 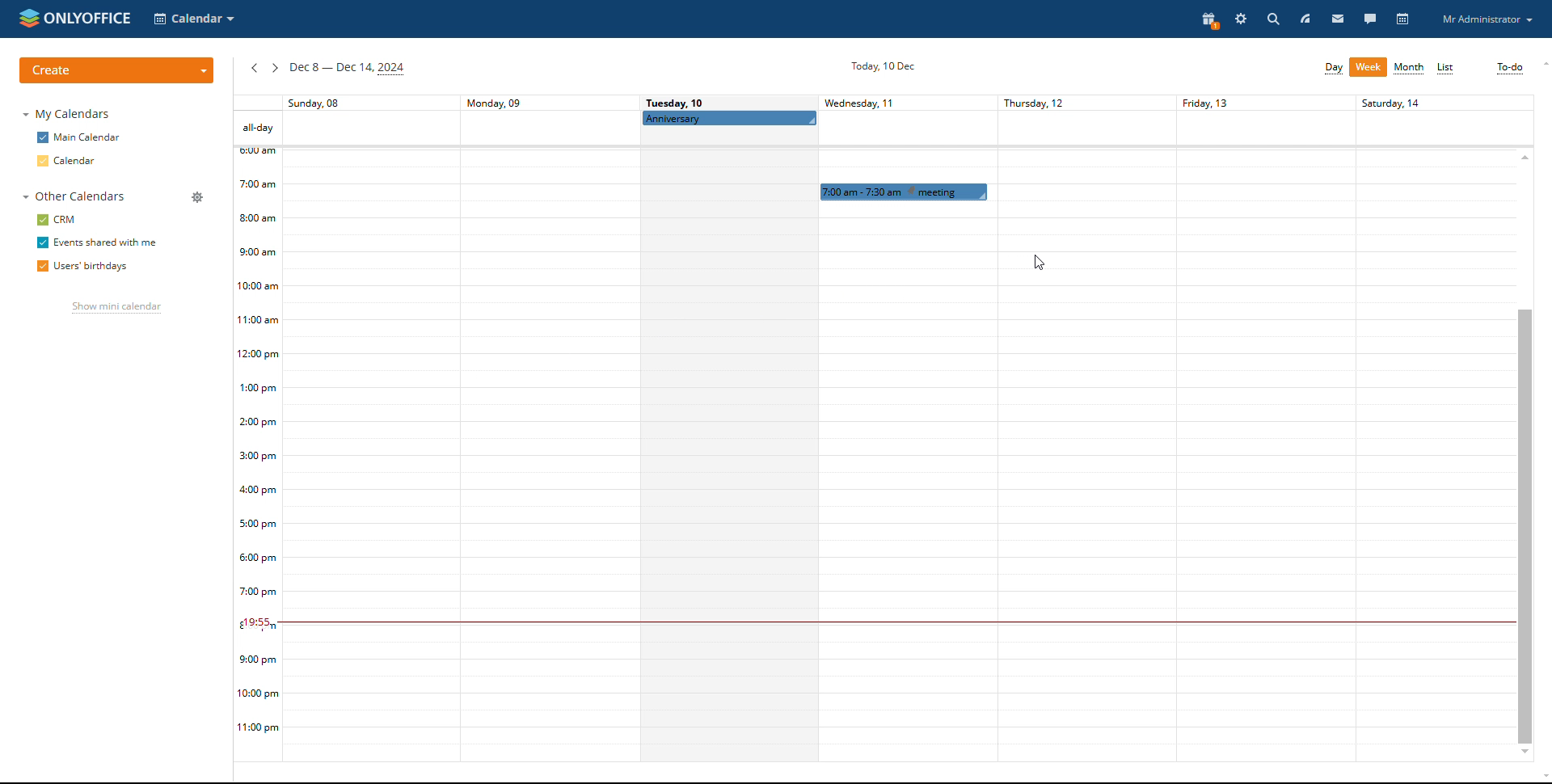 I want to click on month view, so click(x=1410, y=69).